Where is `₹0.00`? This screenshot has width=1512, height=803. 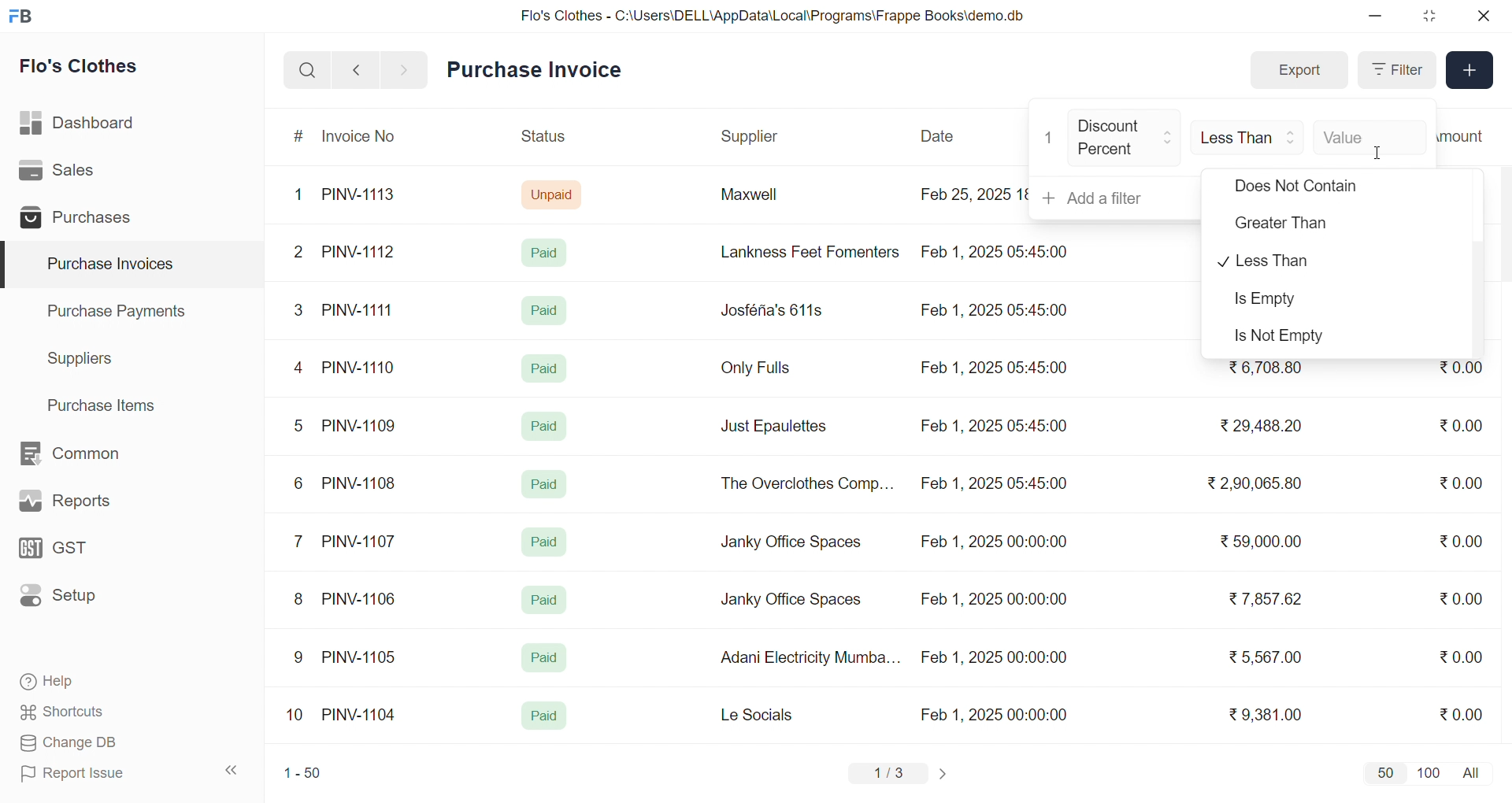 ₹0.00 is located at coordinates (1461, 372).